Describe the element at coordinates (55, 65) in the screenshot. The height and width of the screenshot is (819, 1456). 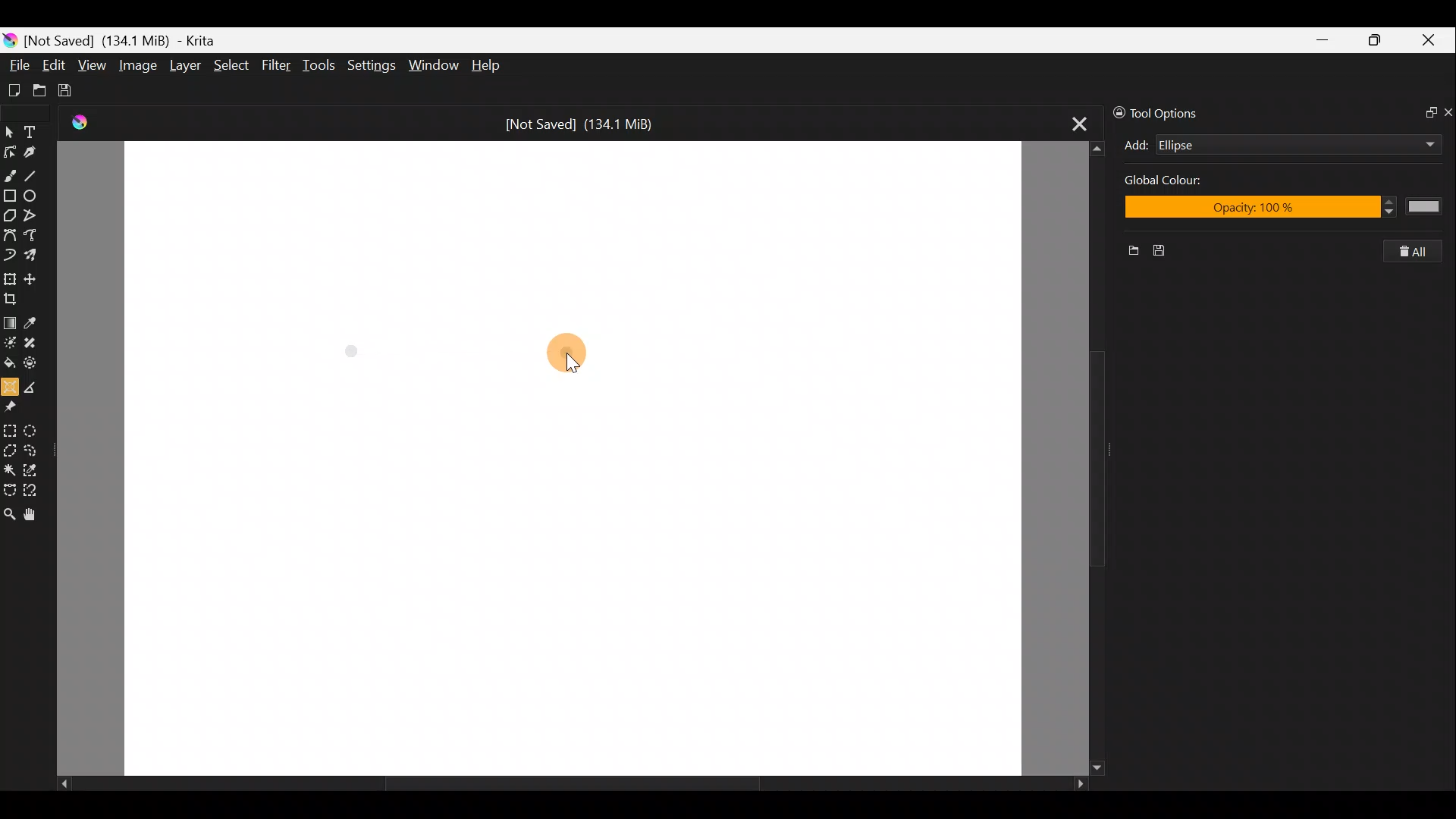
I see `Edit` at that location.